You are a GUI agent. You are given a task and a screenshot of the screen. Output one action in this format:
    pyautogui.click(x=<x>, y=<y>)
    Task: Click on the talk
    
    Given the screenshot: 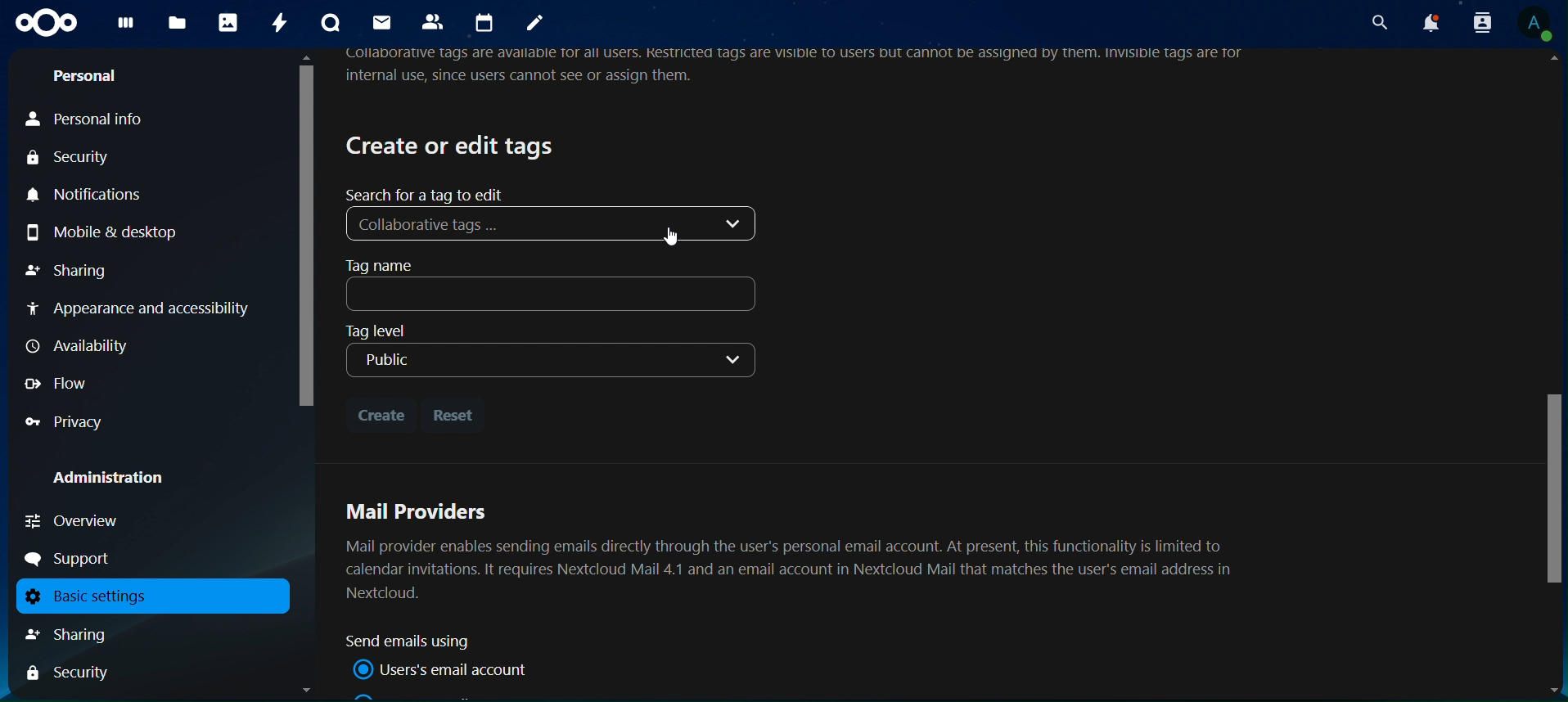 What is the action you would take?
    pyautogui.click(x=329, y=23)
    